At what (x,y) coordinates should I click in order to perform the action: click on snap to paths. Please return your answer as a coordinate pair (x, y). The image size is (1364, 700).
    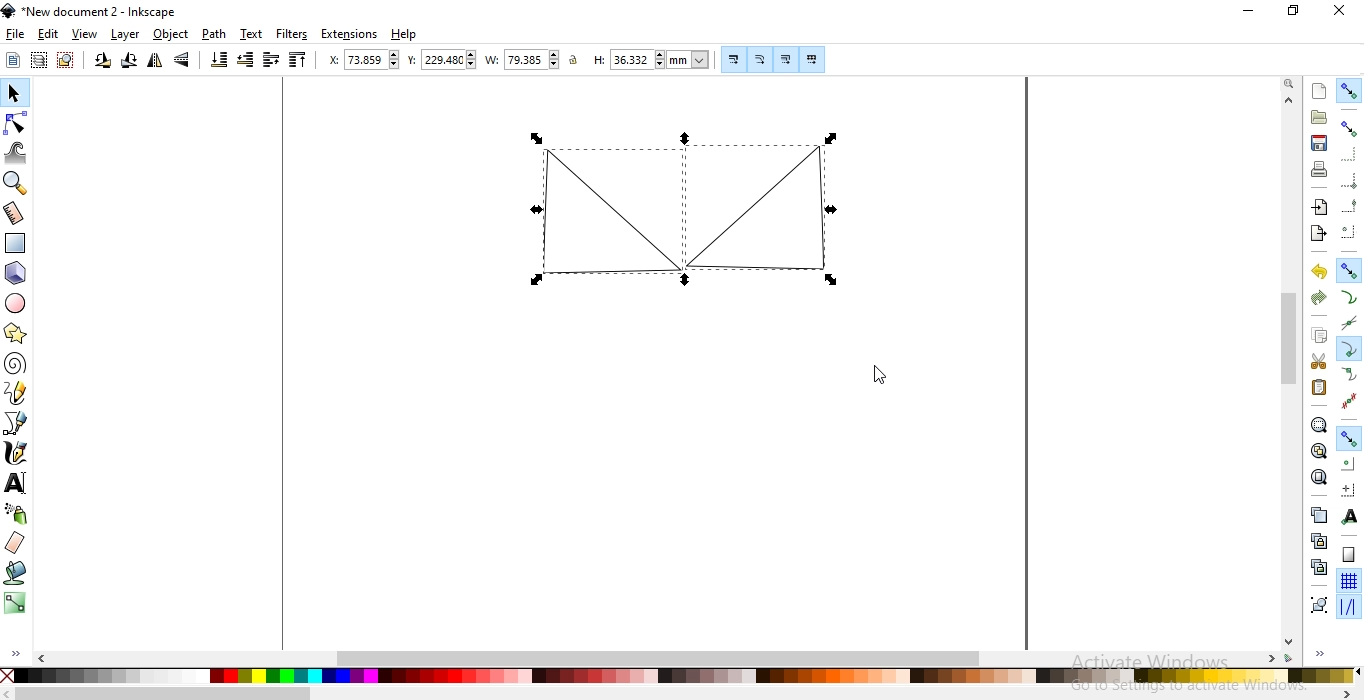
    Looking at the image, I should click on (1348, 297).